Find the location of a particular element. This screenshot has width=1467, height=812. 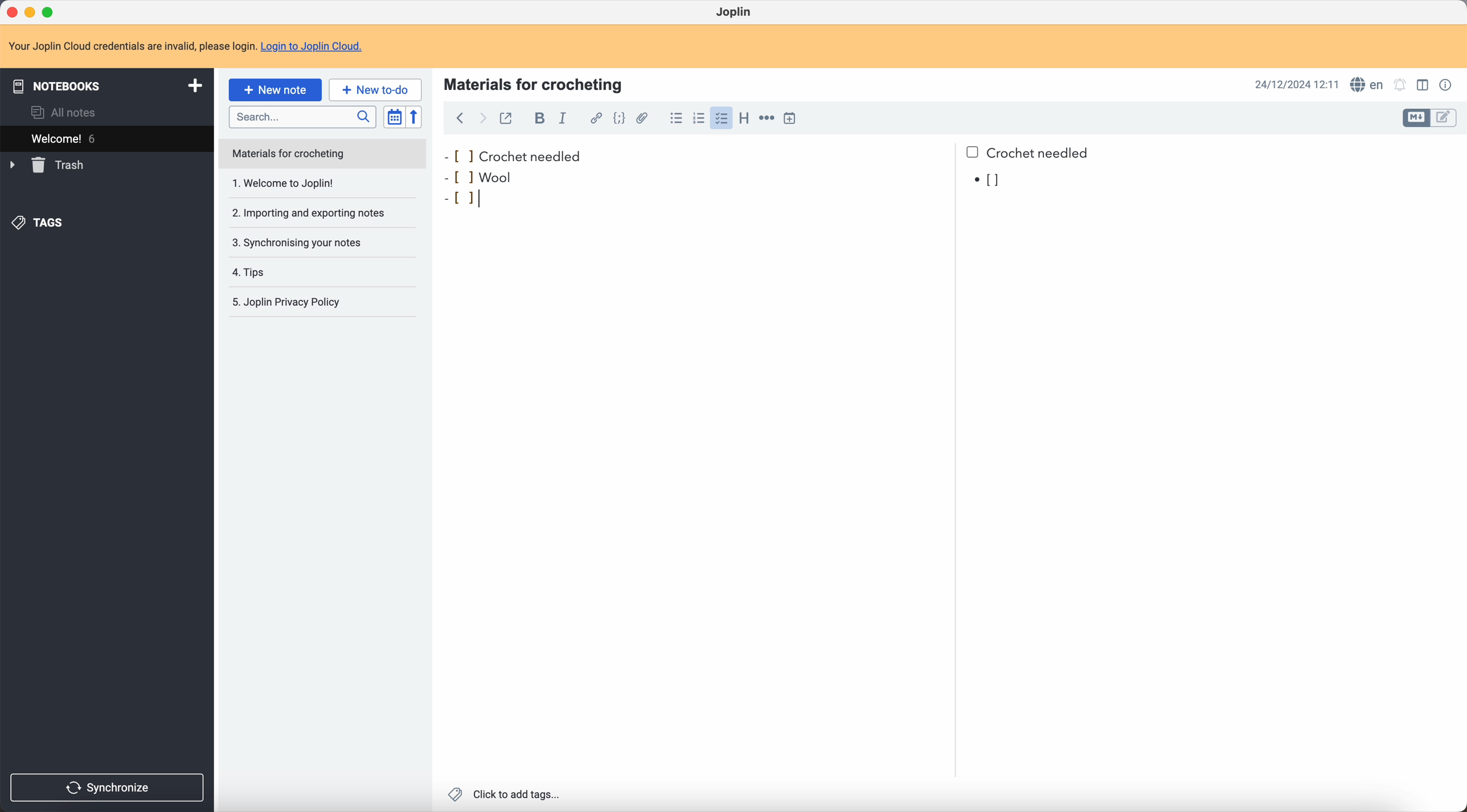

insert time is located at coordinates (792, 118).